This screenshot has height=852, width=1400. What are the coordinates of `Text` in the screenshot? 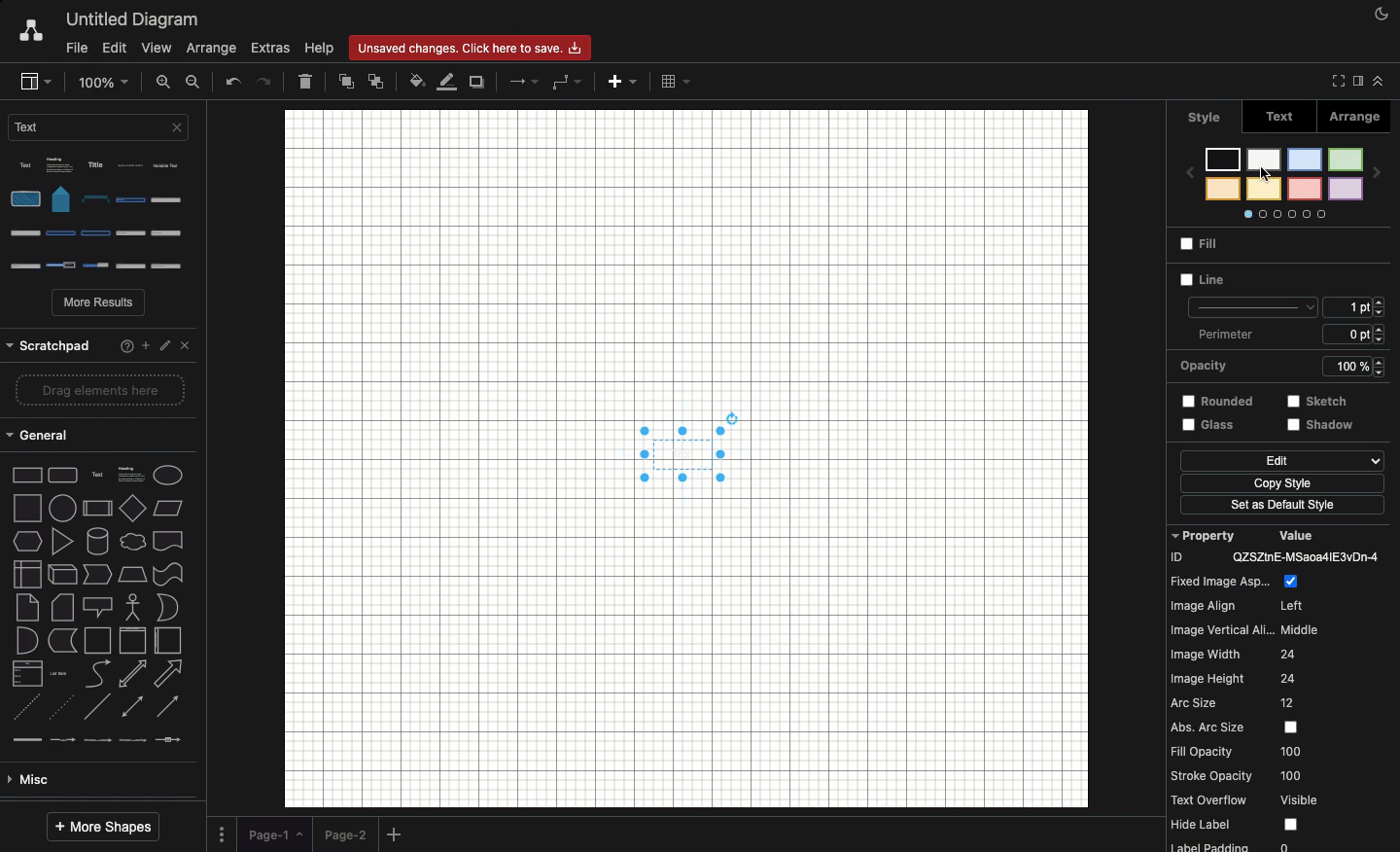 It's located at (1280, 119).